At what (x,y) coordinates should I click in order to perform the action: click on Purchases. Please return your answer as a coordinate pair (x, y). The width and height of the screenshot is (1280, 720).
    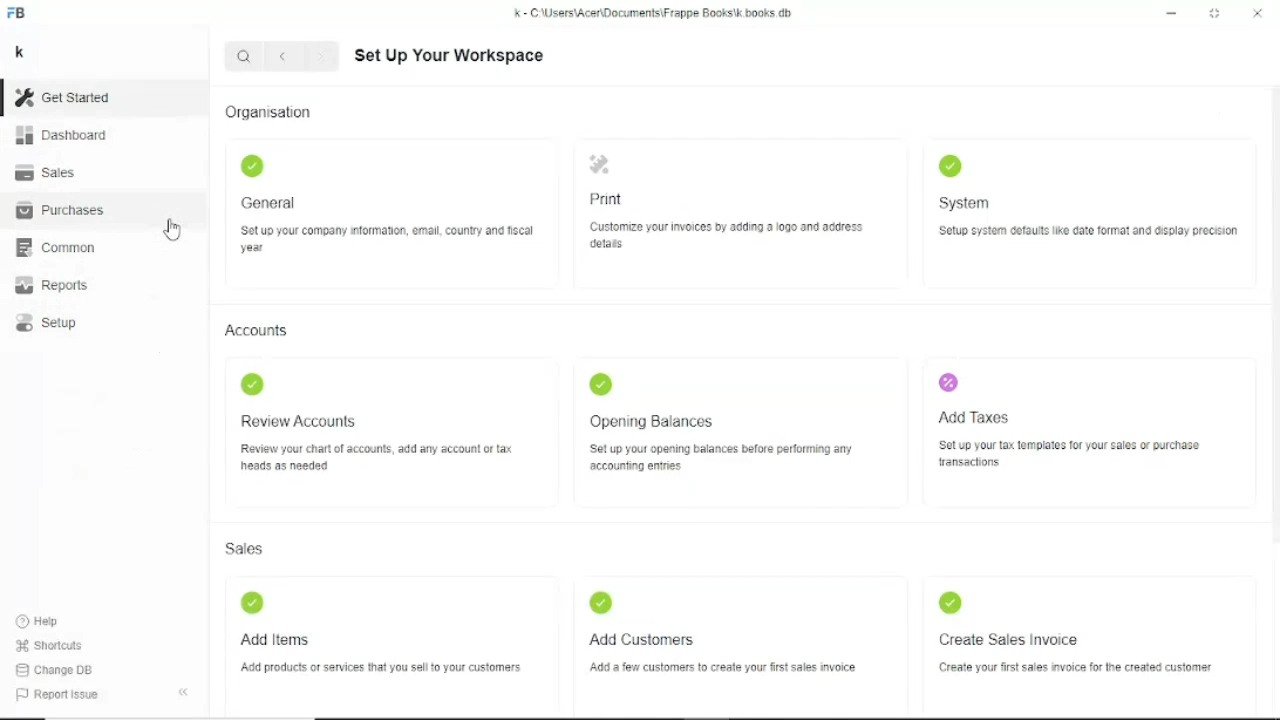
    Looking at the image, I should click on (58, 211).